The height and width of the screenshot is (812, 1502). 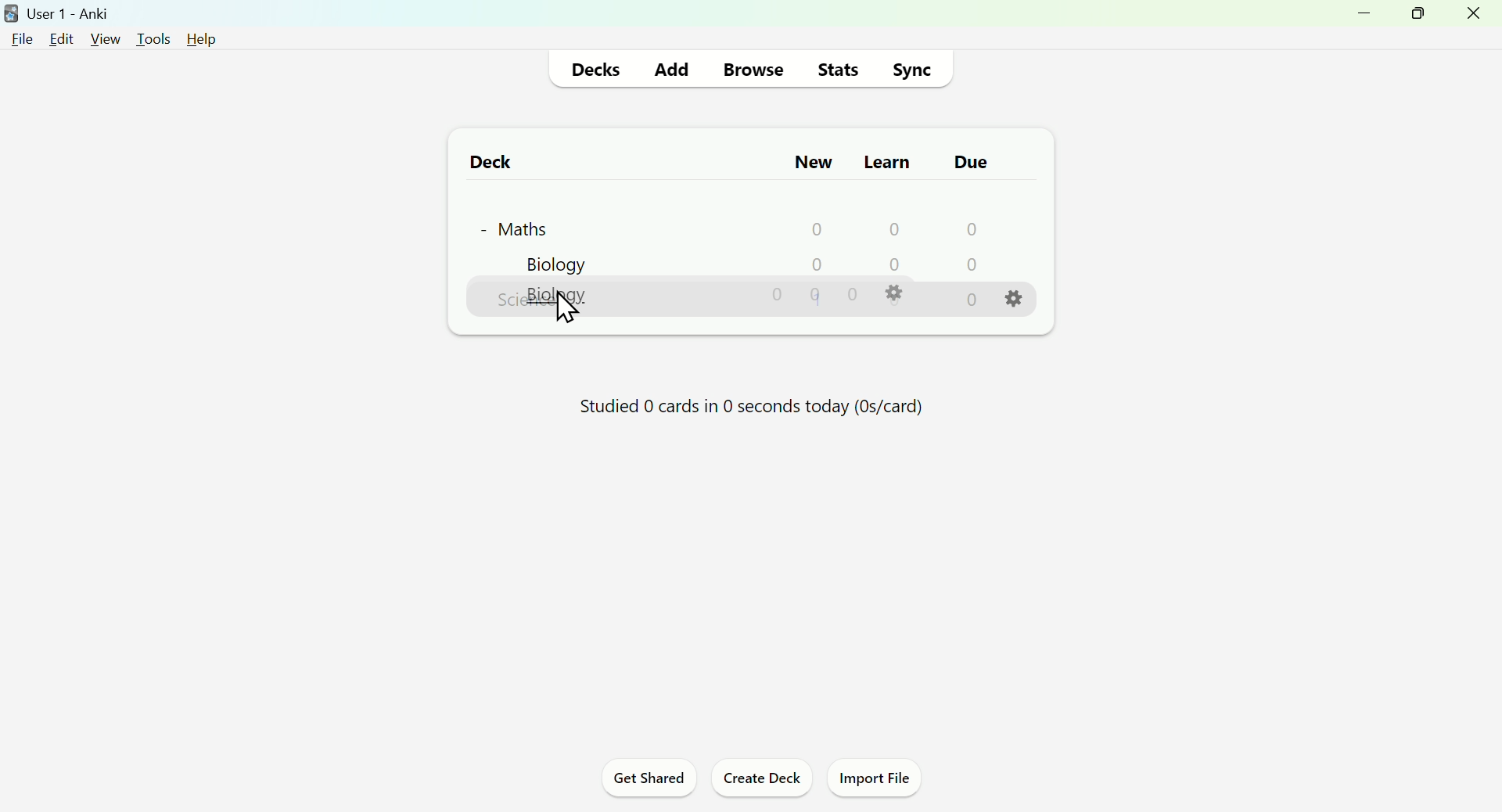 I want to click on settings, so click(x=1016, y=305).